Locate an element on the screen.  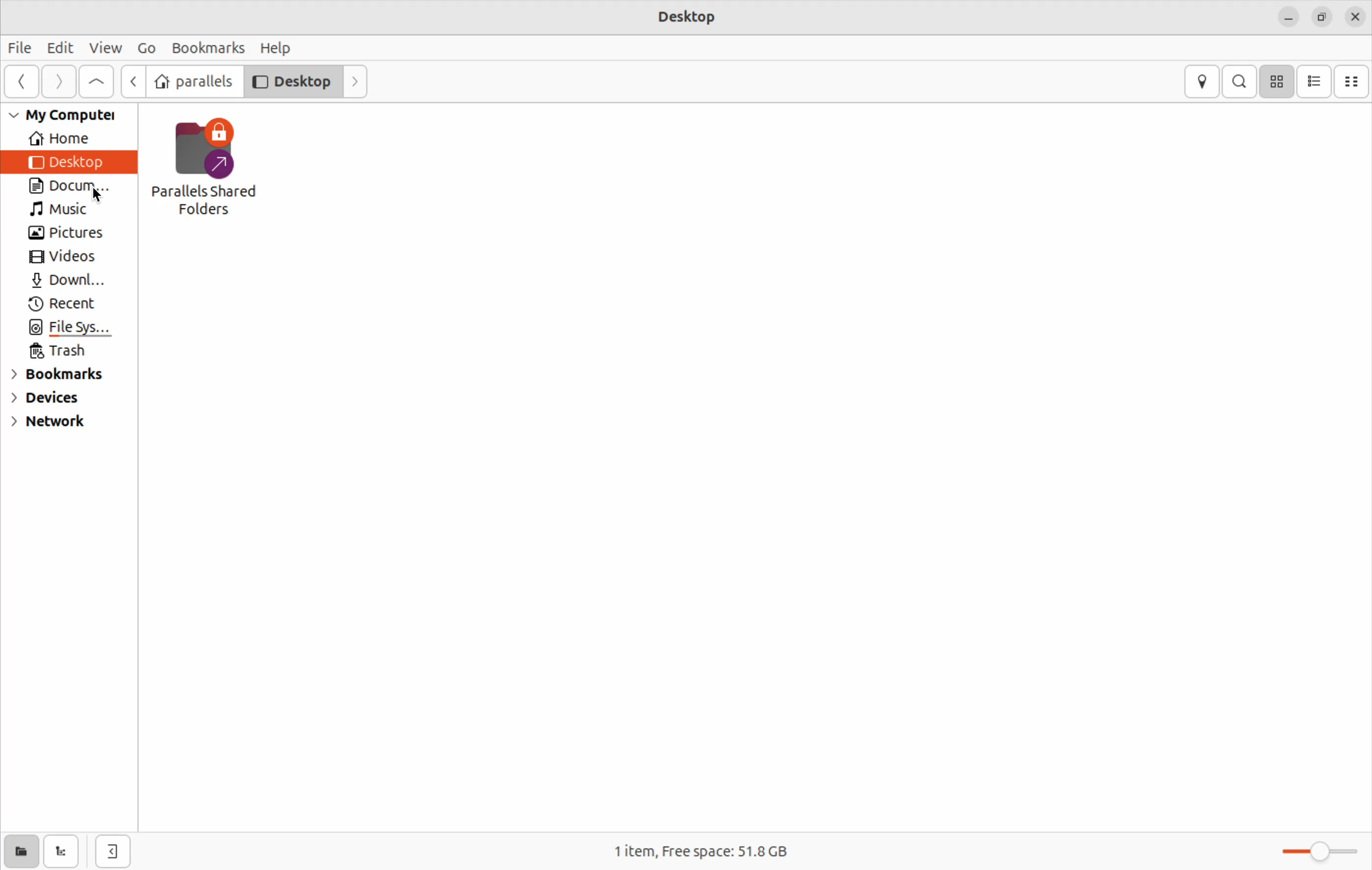
Previous is located at coordinates (133, 82).